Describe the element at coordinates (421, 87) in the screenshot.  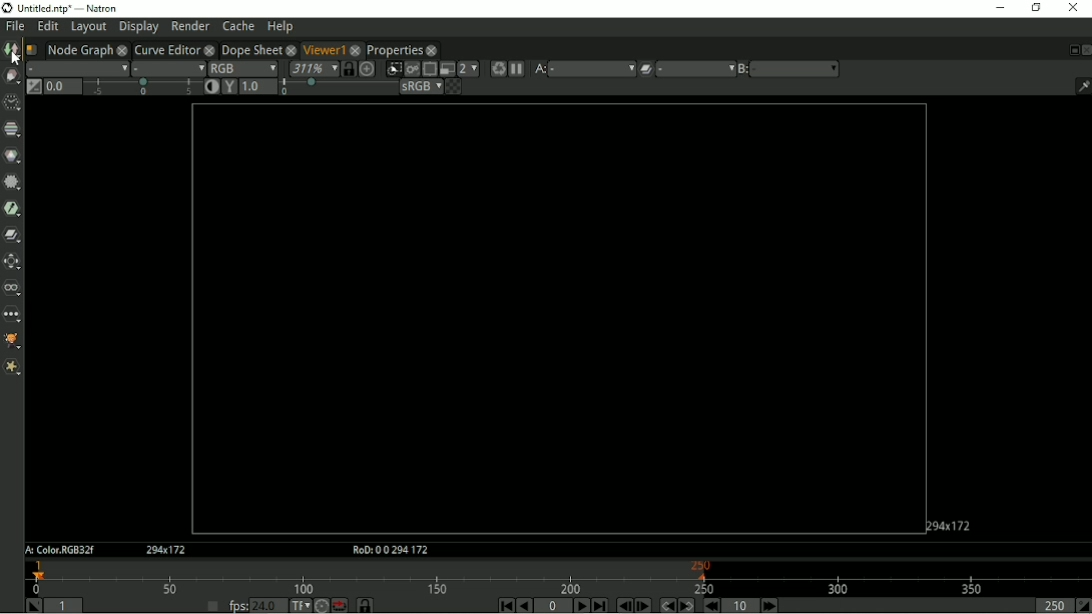
I see `sRGB` at that location.